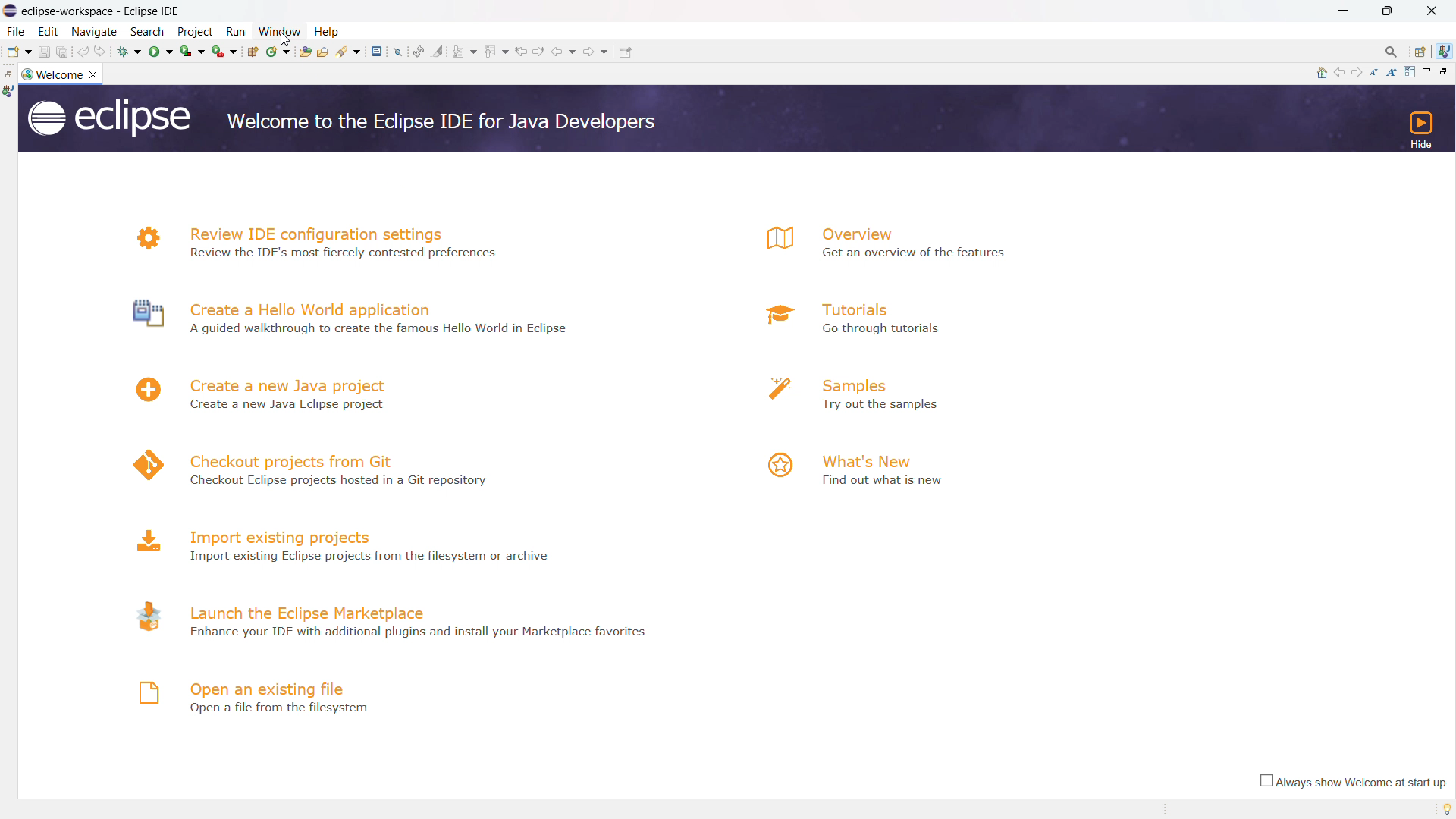 This screenshot has width=1456, height=819. Describe the element at coordinates (26, 74) in the screenshot. I see `logo` at that location.